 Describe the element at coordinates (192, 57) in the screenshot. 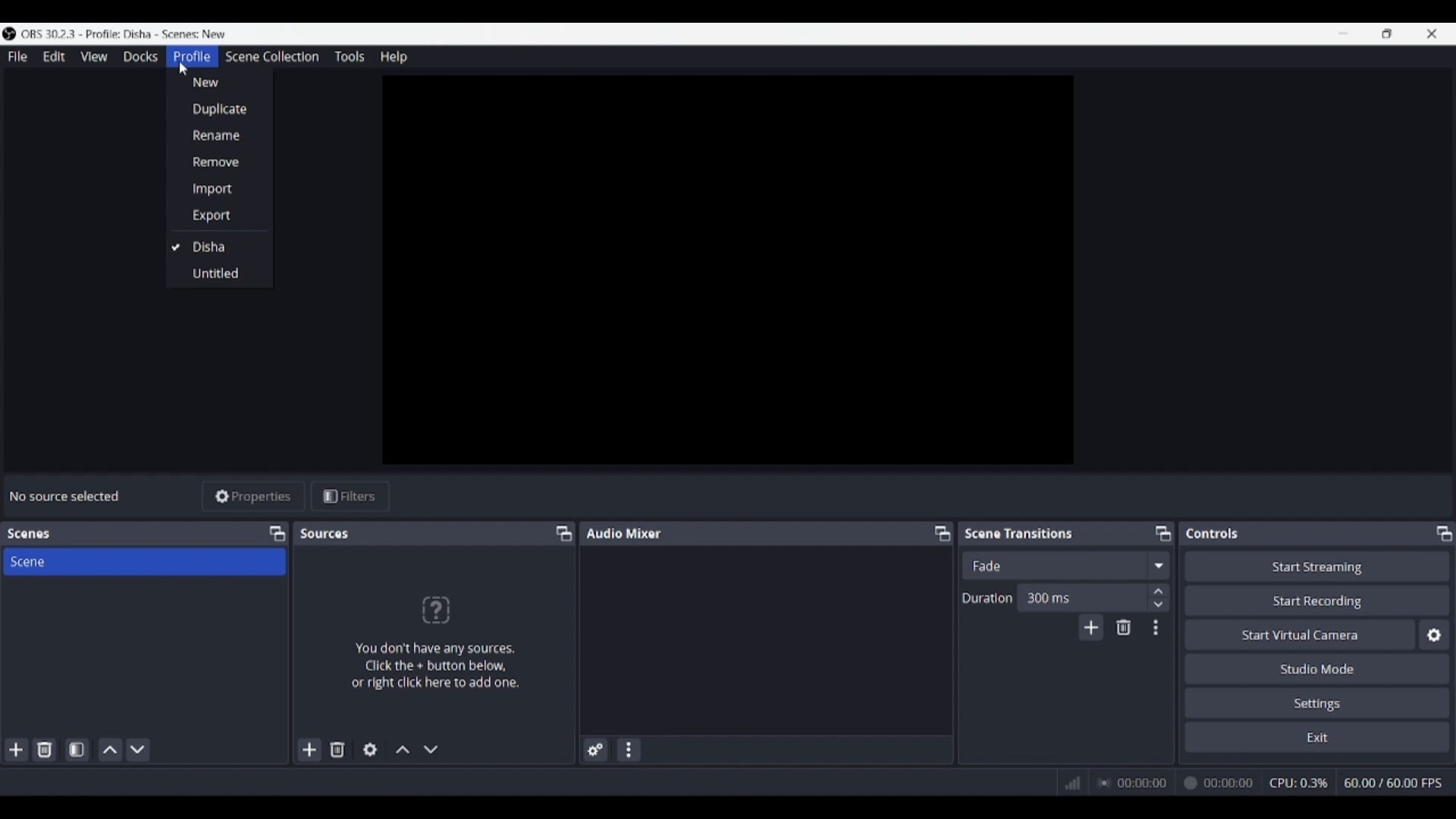

I see `Profile menu, highlighted by cursor` at that location.